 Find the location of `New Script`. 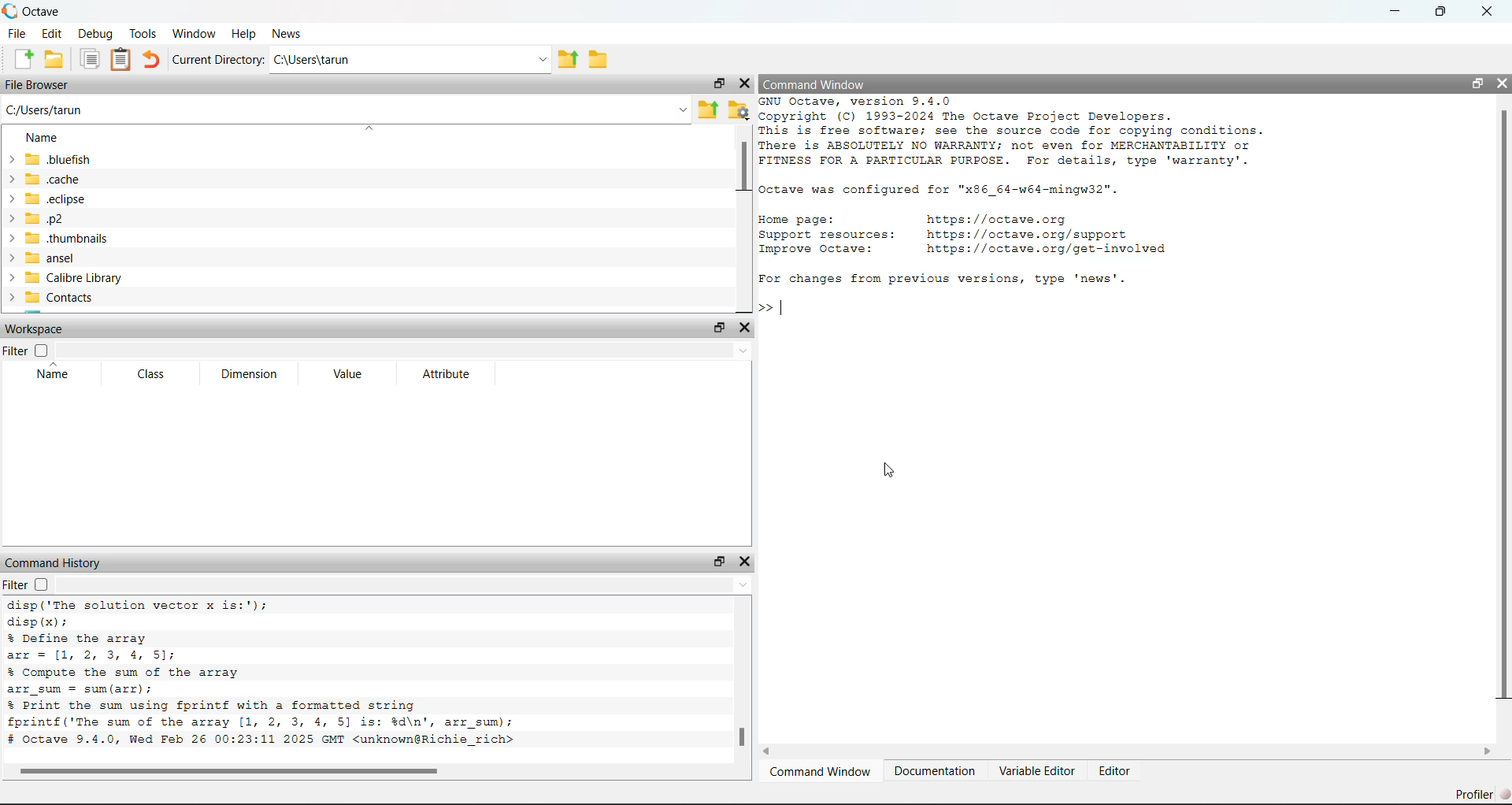

New Script is located at coordinates (24, 58).